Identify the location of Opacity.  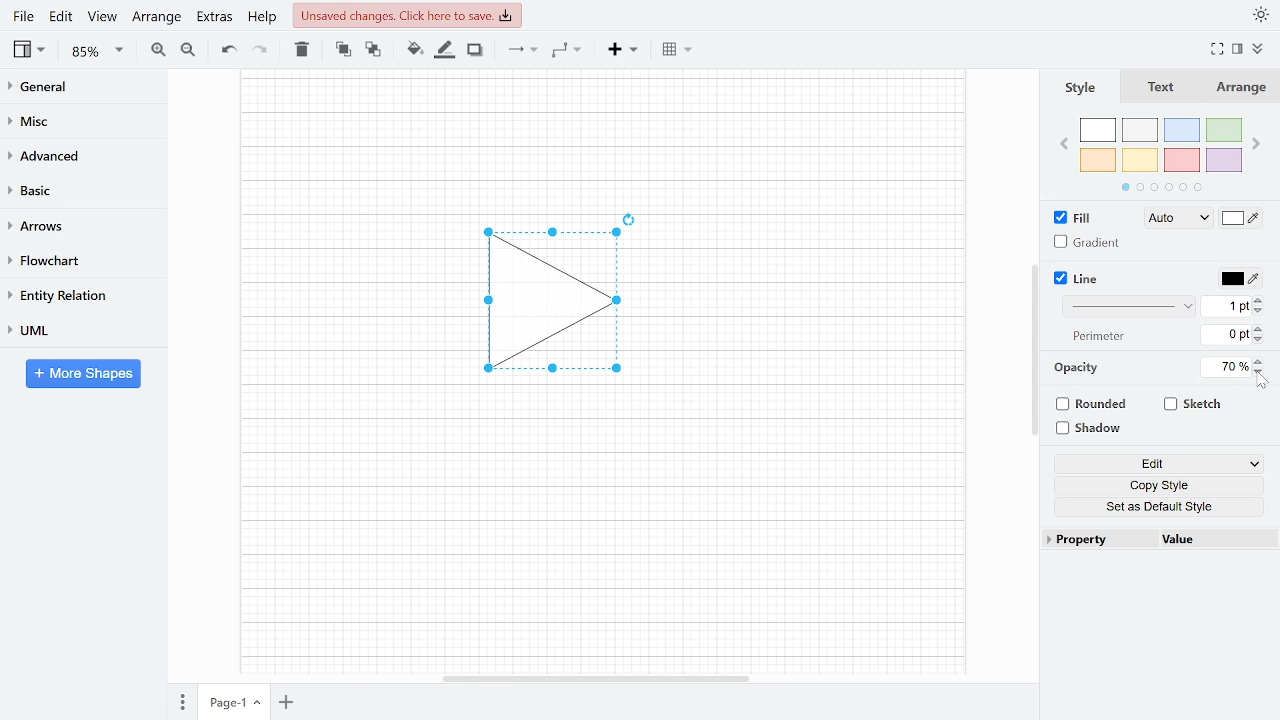
(1078, 368).